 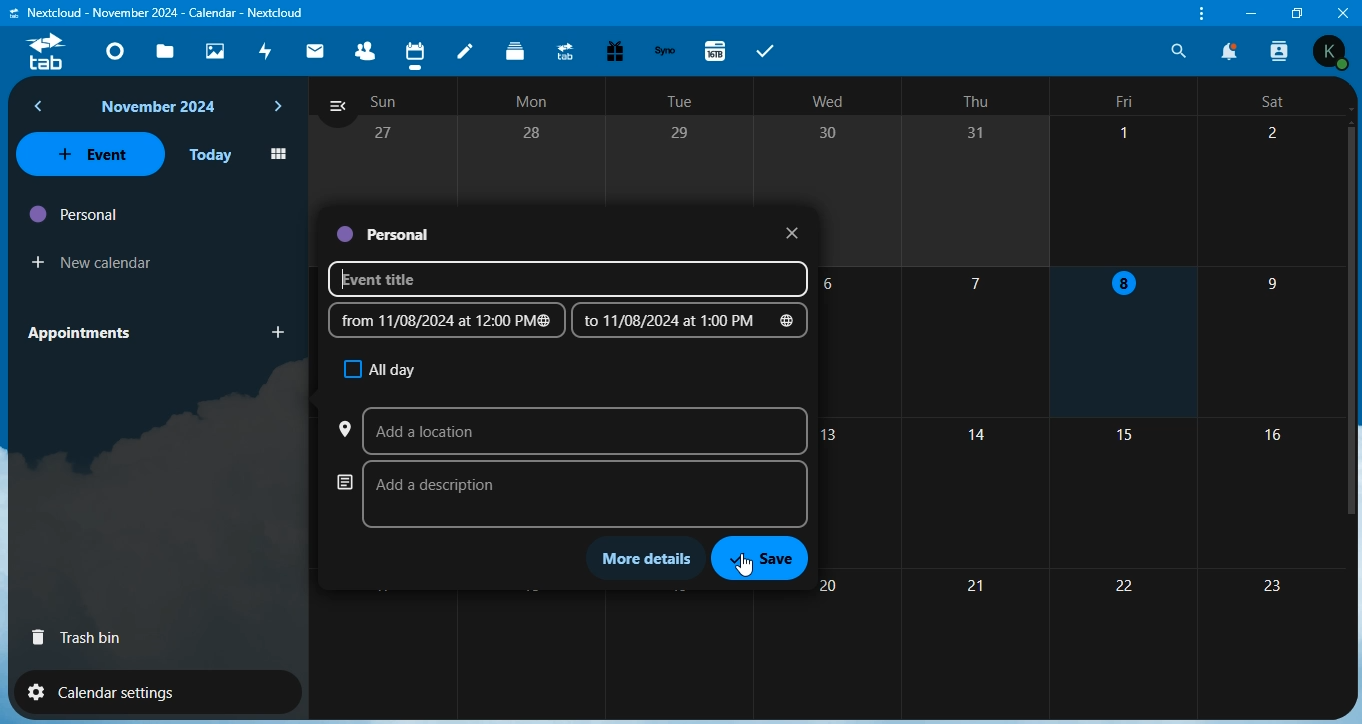 What do you see at coordinates (692, 322) in the screenshot?
I see `date` at bounding box center [692, 322].